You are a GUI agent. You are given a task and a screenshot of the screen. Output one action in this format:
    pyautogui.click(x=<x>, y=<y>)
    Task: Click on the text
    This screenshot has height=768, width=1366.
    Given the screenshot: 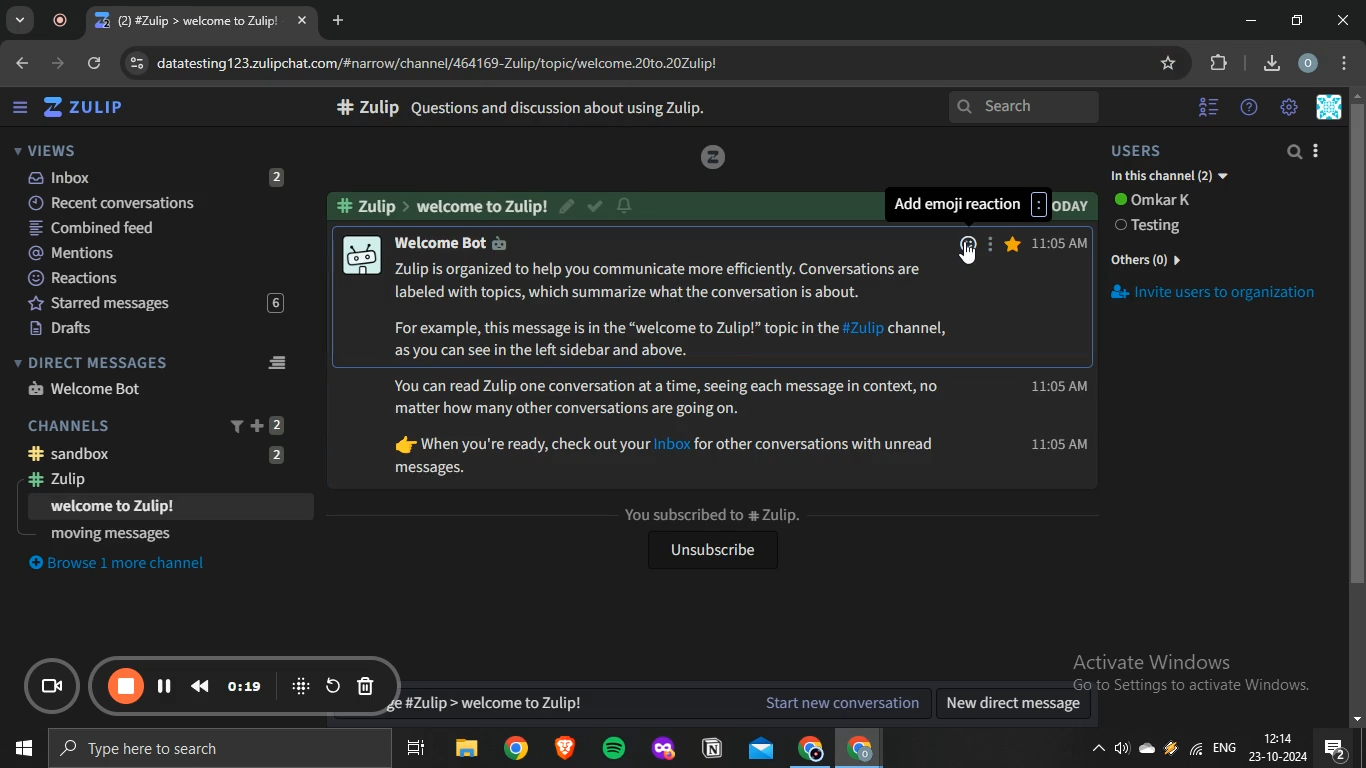 What is the action you would take?
    pyautogui.click(x=444, y=205)
    